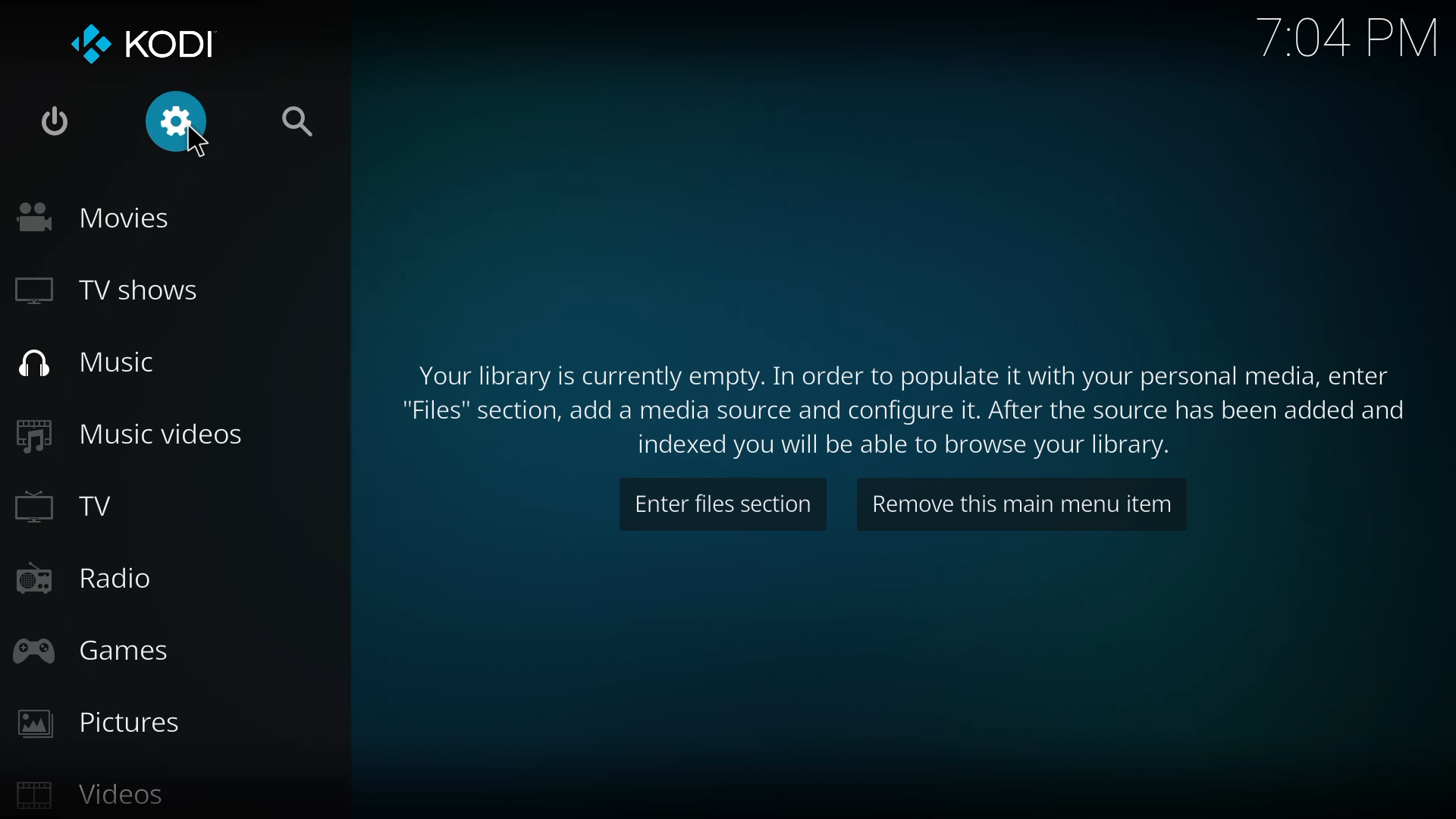 The image size is (1456, 819). Describe the element at coordinates (138, 42) in the screenshot. I see `kodi` at that location.